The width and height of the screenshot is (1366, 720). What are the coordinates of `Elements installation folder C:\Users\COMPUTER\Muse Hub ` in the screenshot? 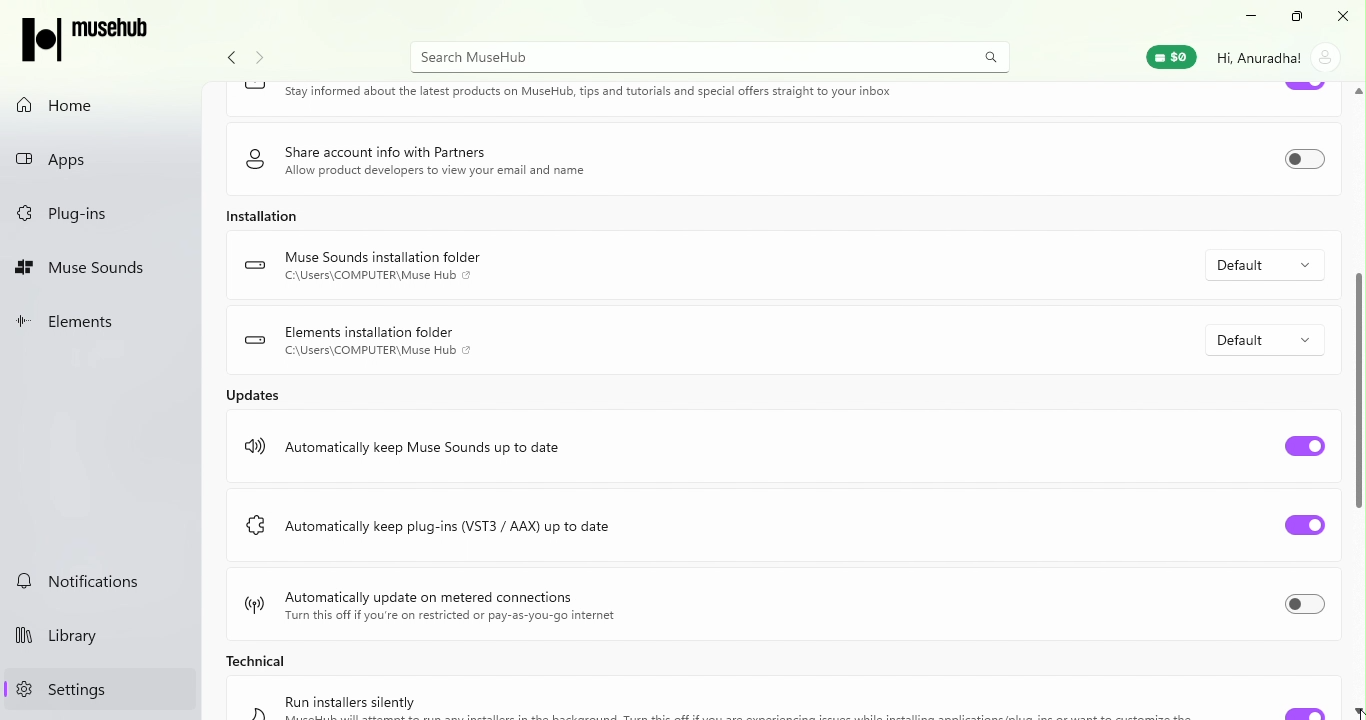 It's located at (379, 341).